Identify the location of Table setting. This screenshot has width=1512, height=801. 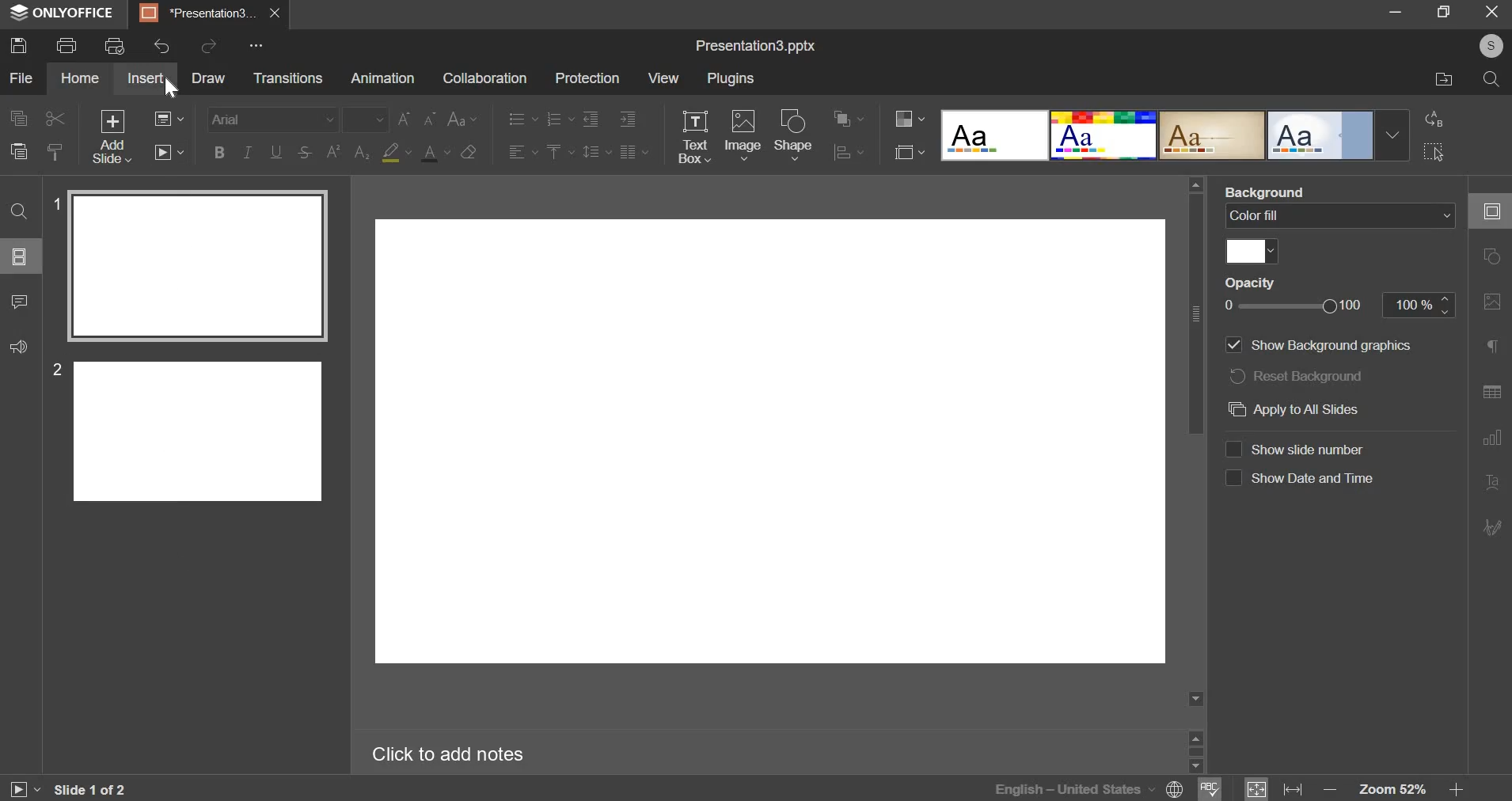
(1492, 394).